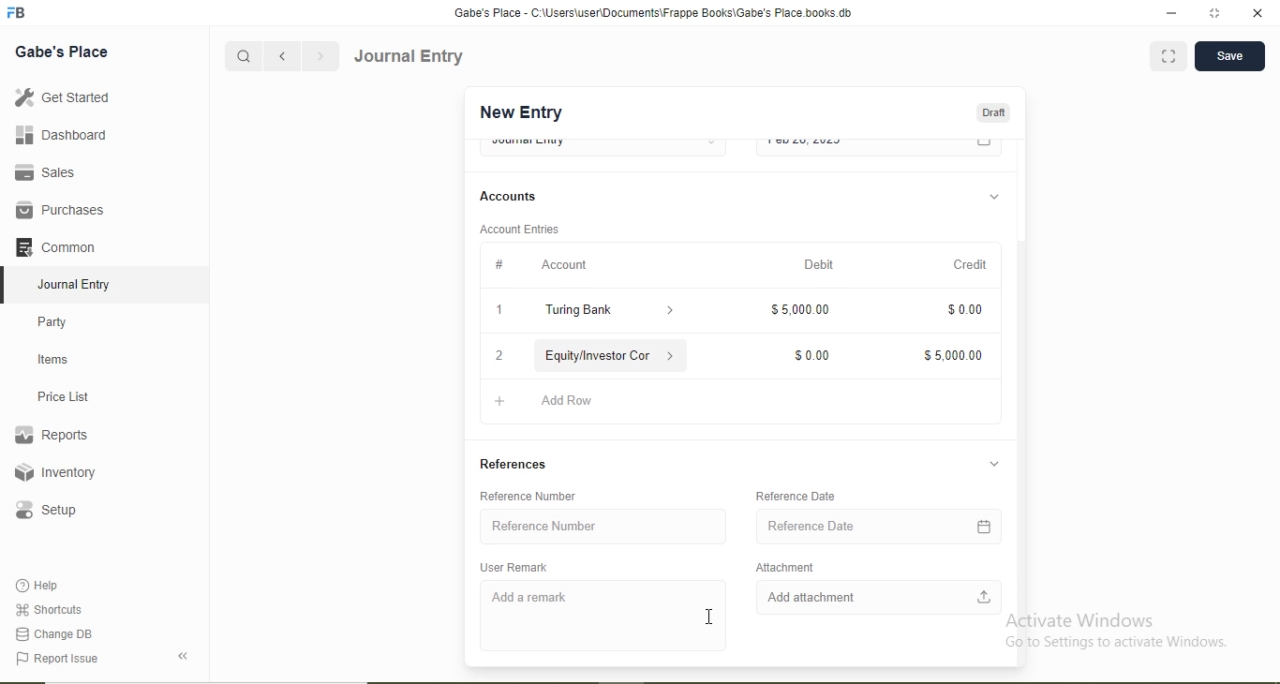 The image size is (1280, 684). I want to click on #, so click(499, 266).